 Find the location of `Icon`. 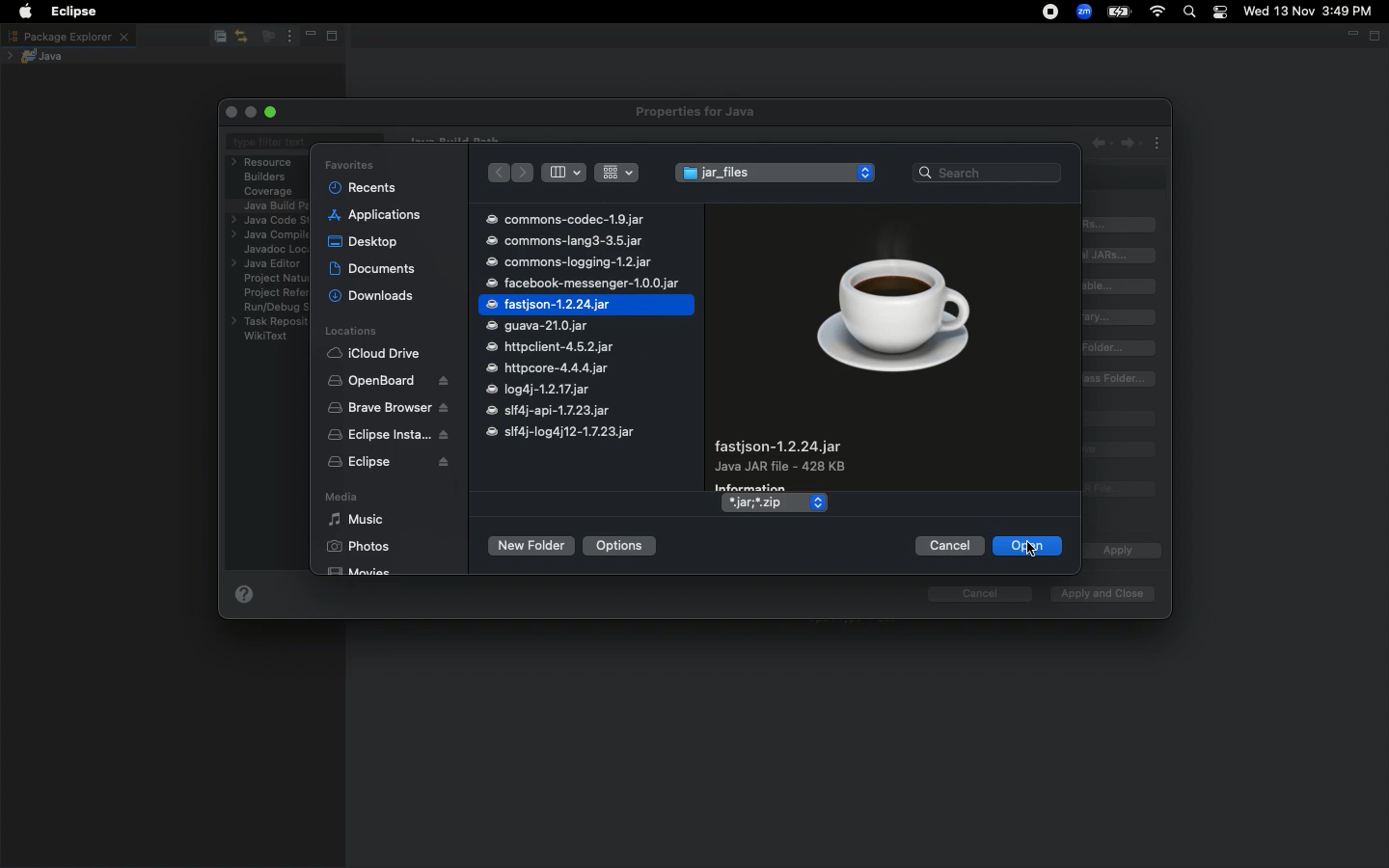

Icon is located at coordinates (893, 315).